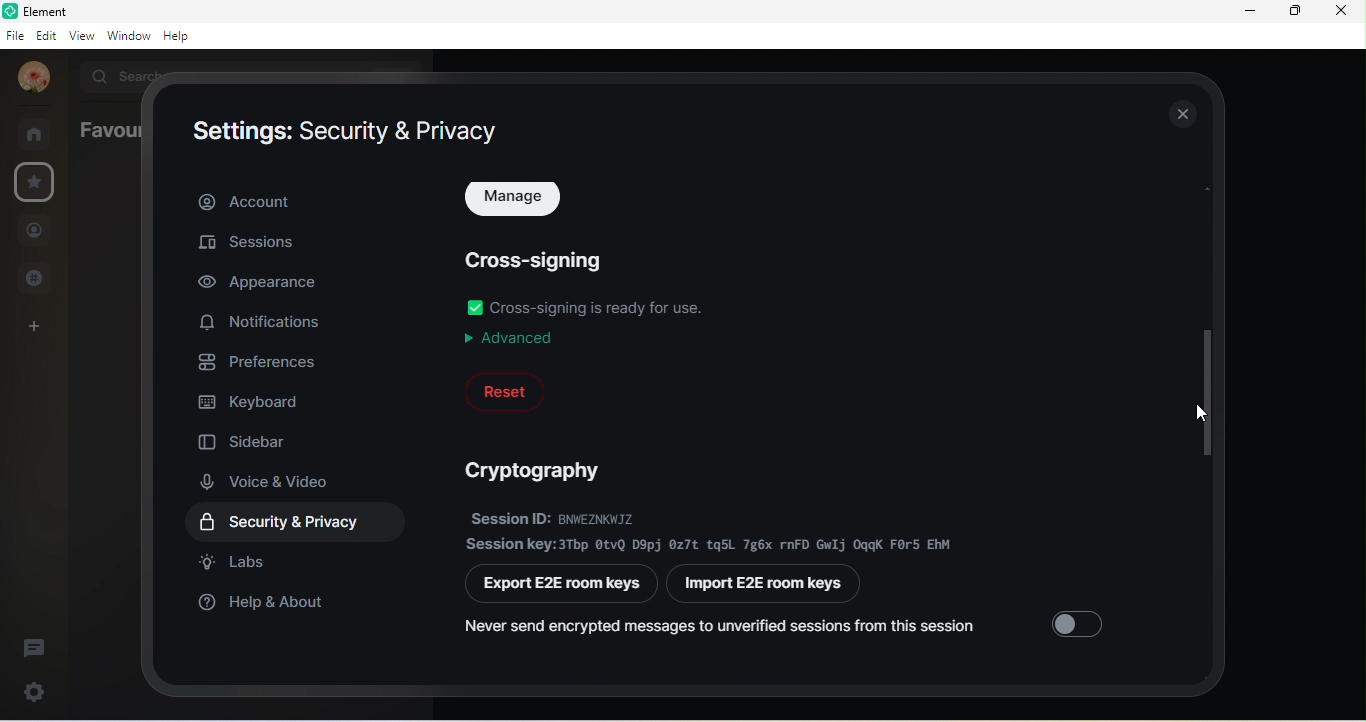 This screenshot has height=722, width=1366. What do you see at coordinates (40, 134) in the screenshot?
I see `home` at bounding box center [40, 134].